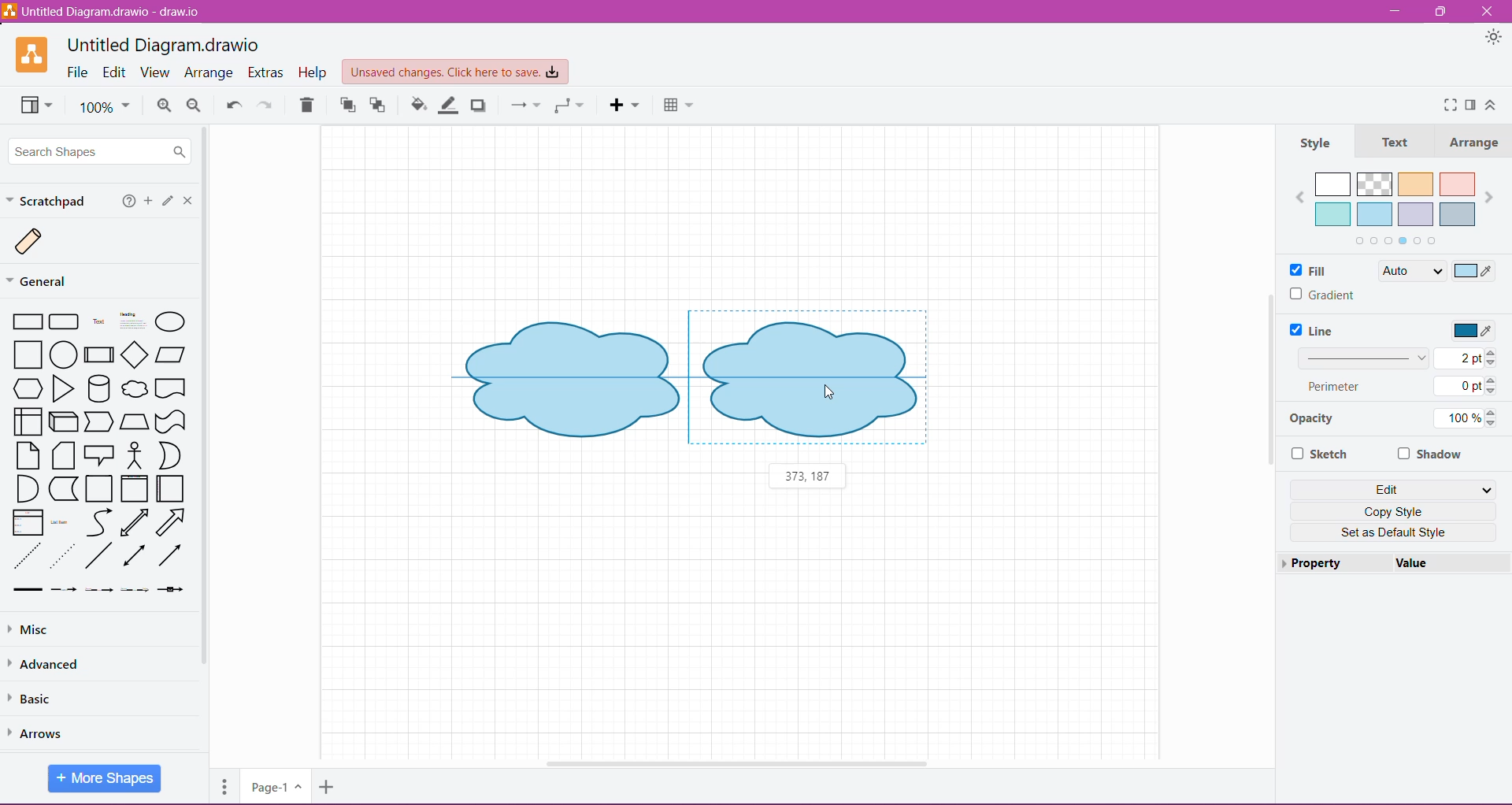 The image size is (1512, 805). I want to click on General, so click(46, 280).